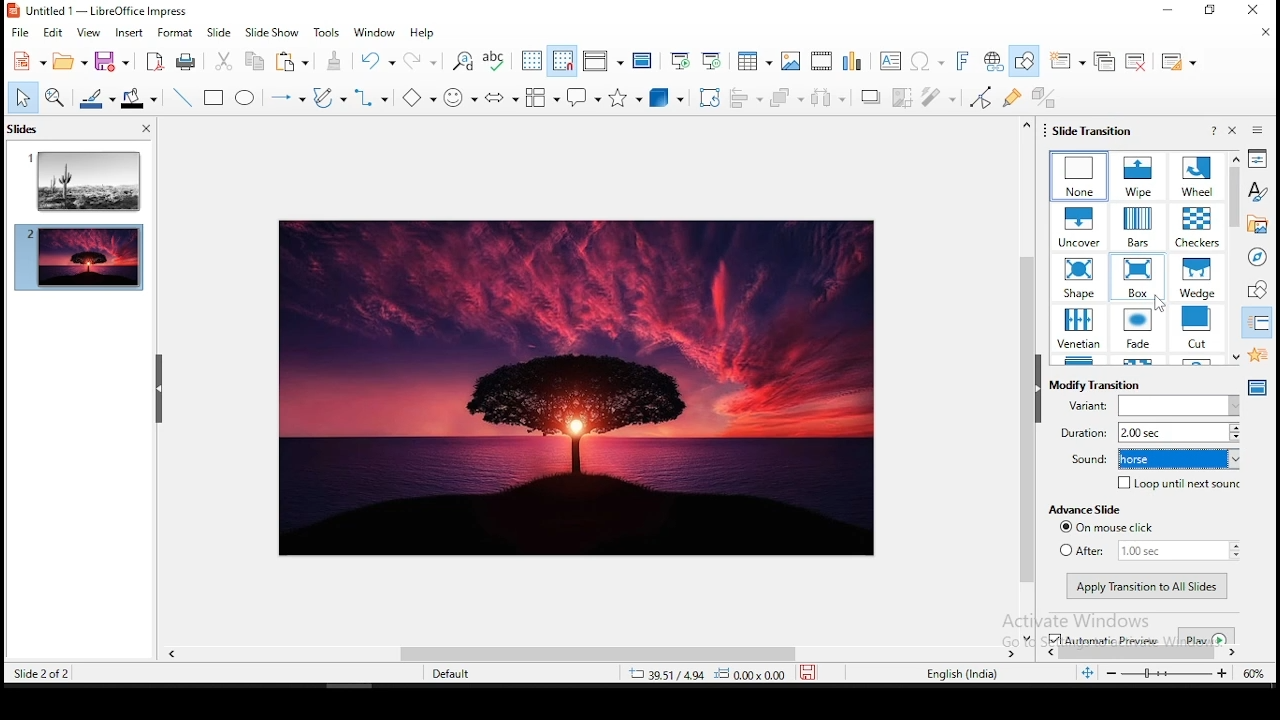  Describe the element at coordinates (1027, 380) in the screenshot. I see `scroll bar` at that location.